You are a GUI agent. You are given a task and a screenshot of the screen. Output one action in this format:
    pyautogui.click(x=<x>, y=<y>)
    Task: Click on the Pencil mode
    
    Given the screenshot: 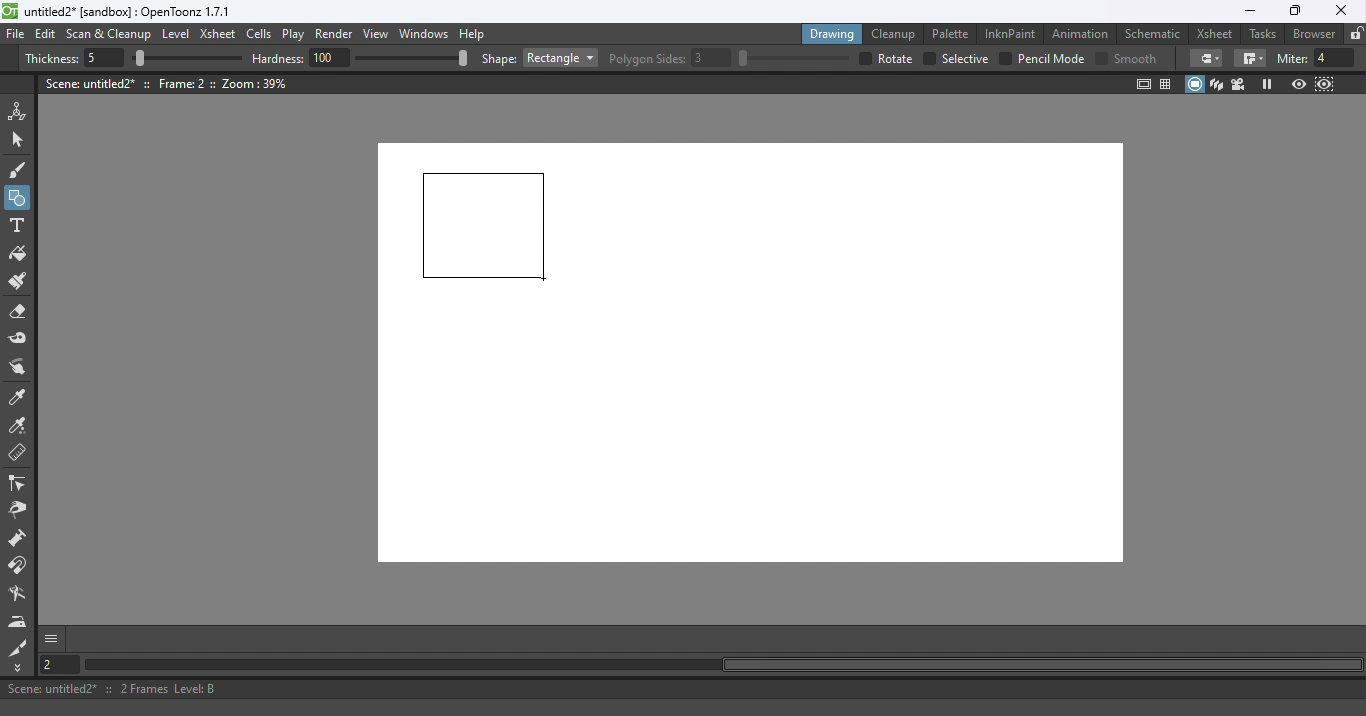 What is the action you would take?
    pyautogui.click(x=1050, y=59)
    